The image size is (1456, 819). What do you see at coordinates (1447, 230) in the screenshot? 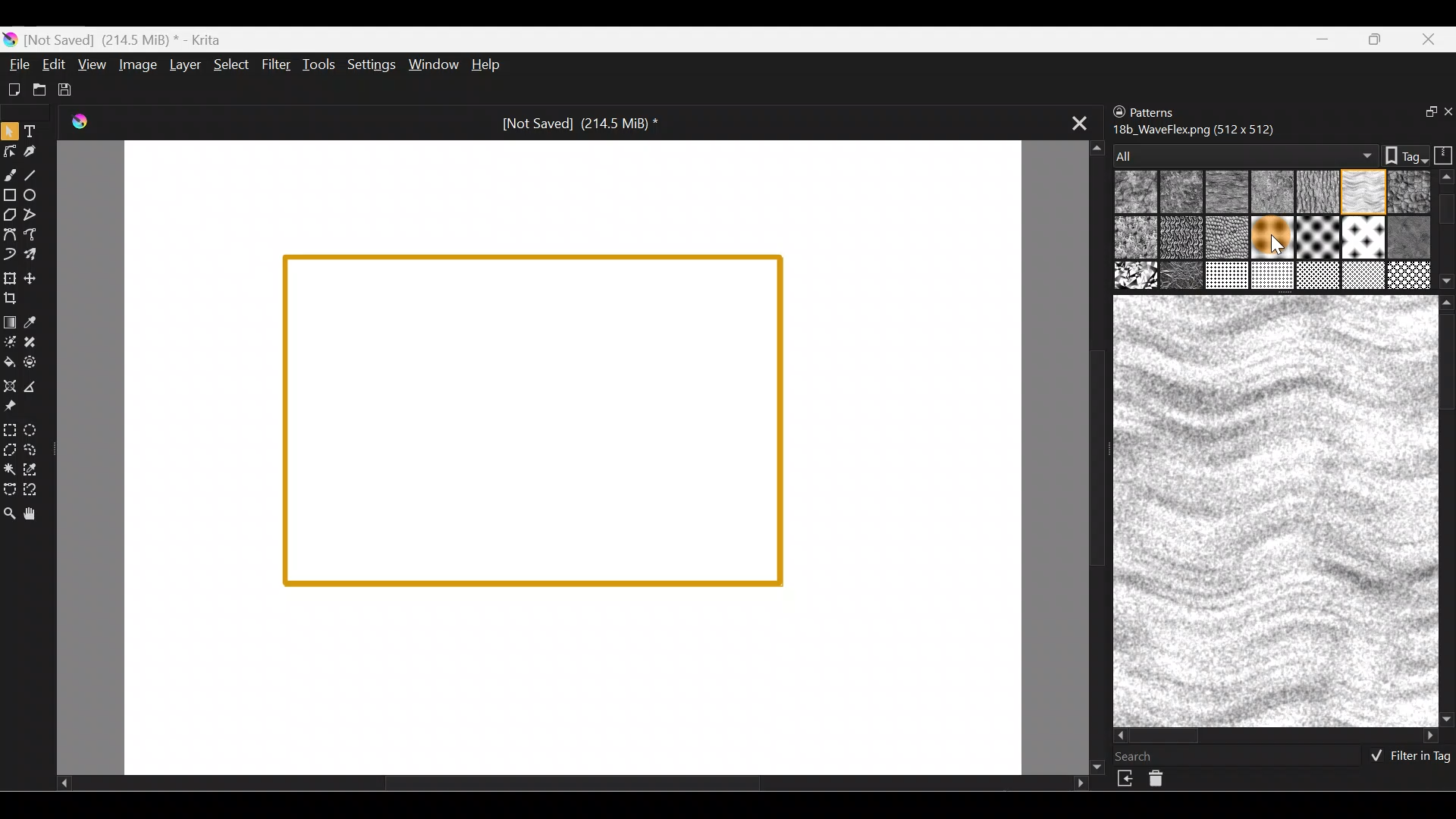
I see `Scroll bar` at bounding box center [1447, 230].